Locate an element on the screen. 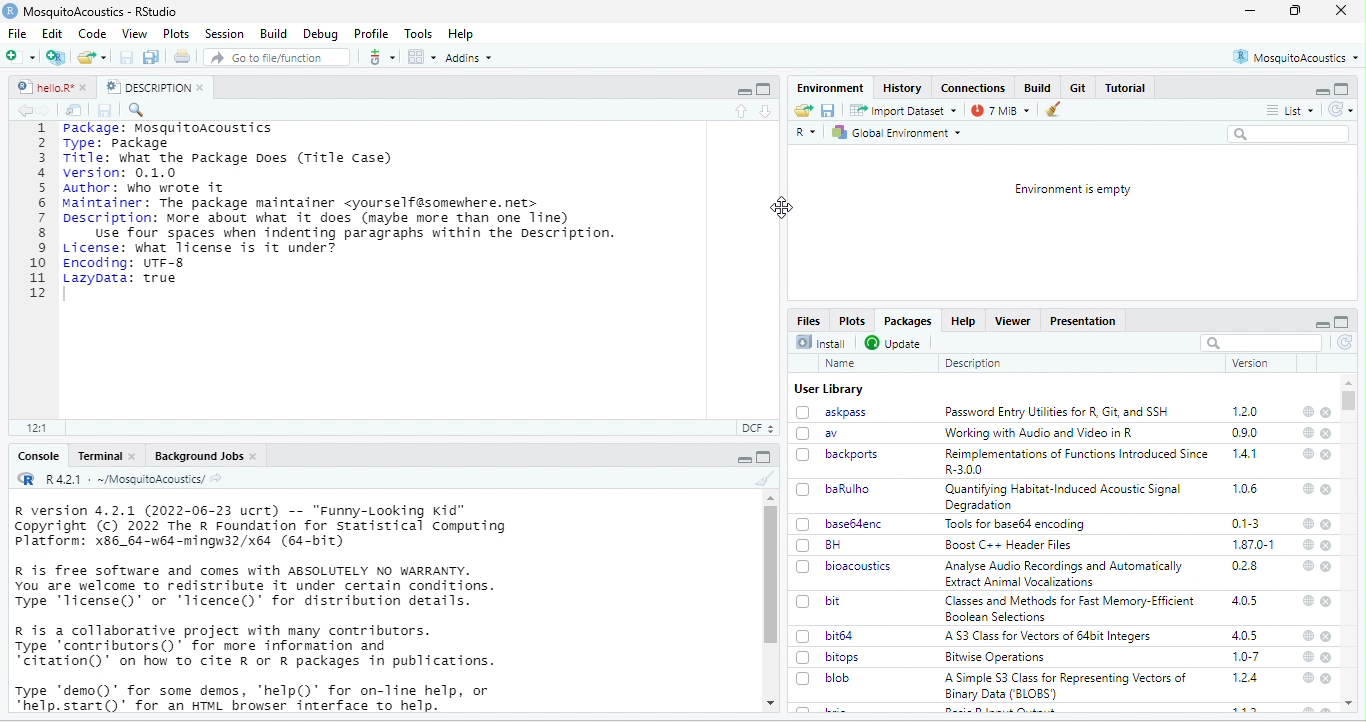  bioacoustics is located at coordinates (845, 567).